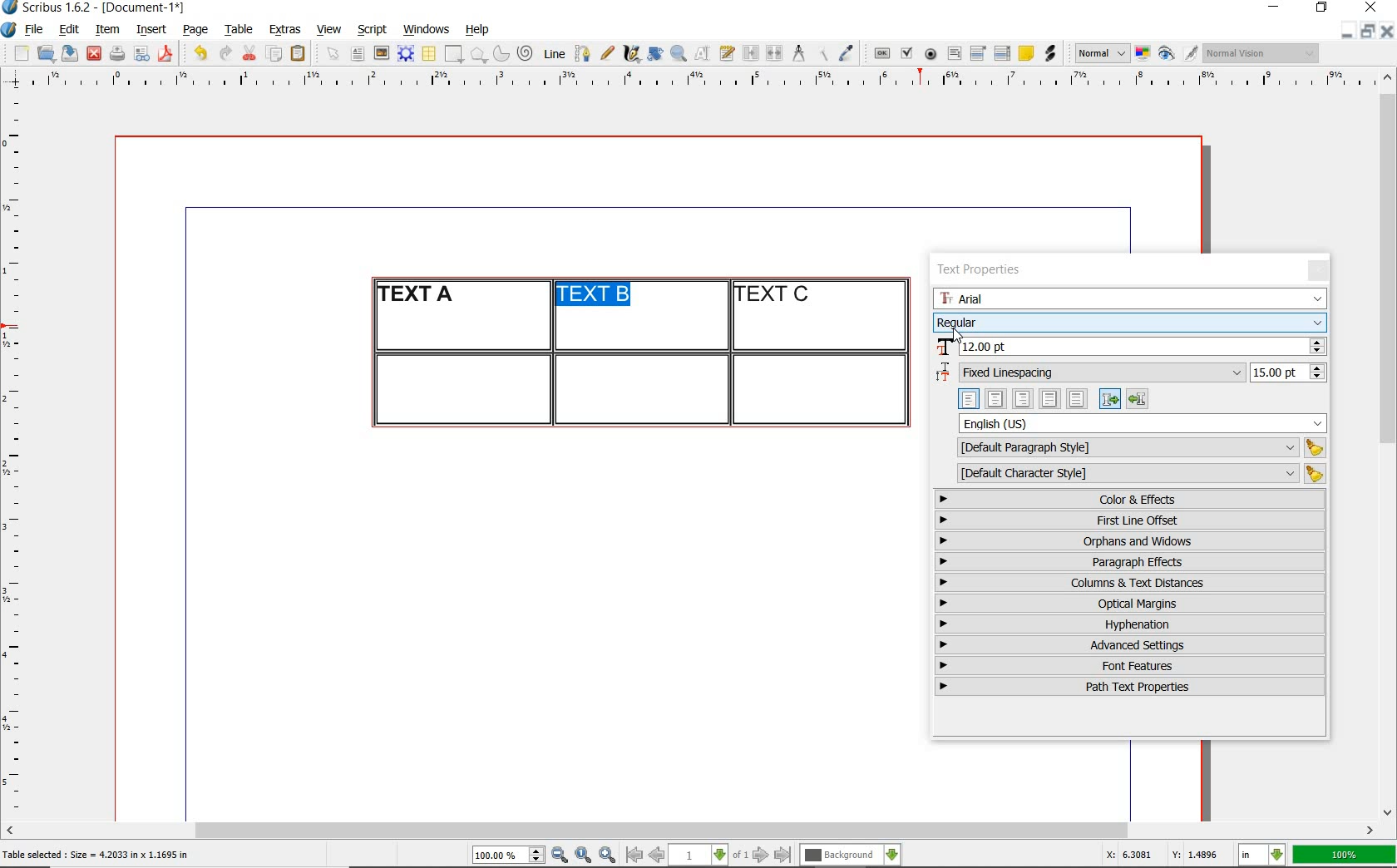 The height and width of the screenshot is (868, 1397). What do you see at coordinates (1133, 583) in the screenshot?
I see `columns & text distances` at bounding box center [1133, 583].